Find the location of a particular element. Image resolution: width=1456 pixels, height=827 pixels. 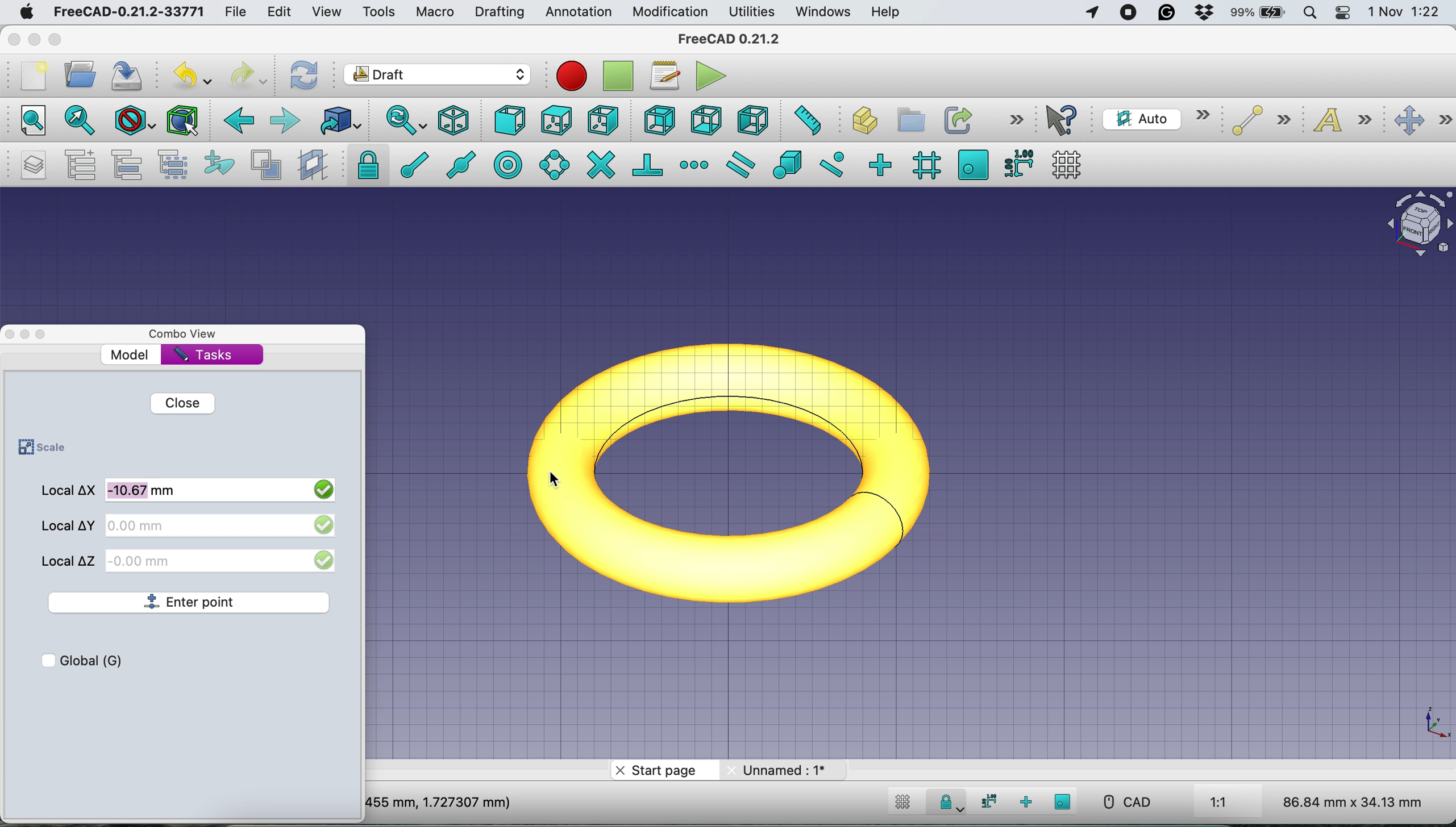

file is located at coordinates (240, 12).